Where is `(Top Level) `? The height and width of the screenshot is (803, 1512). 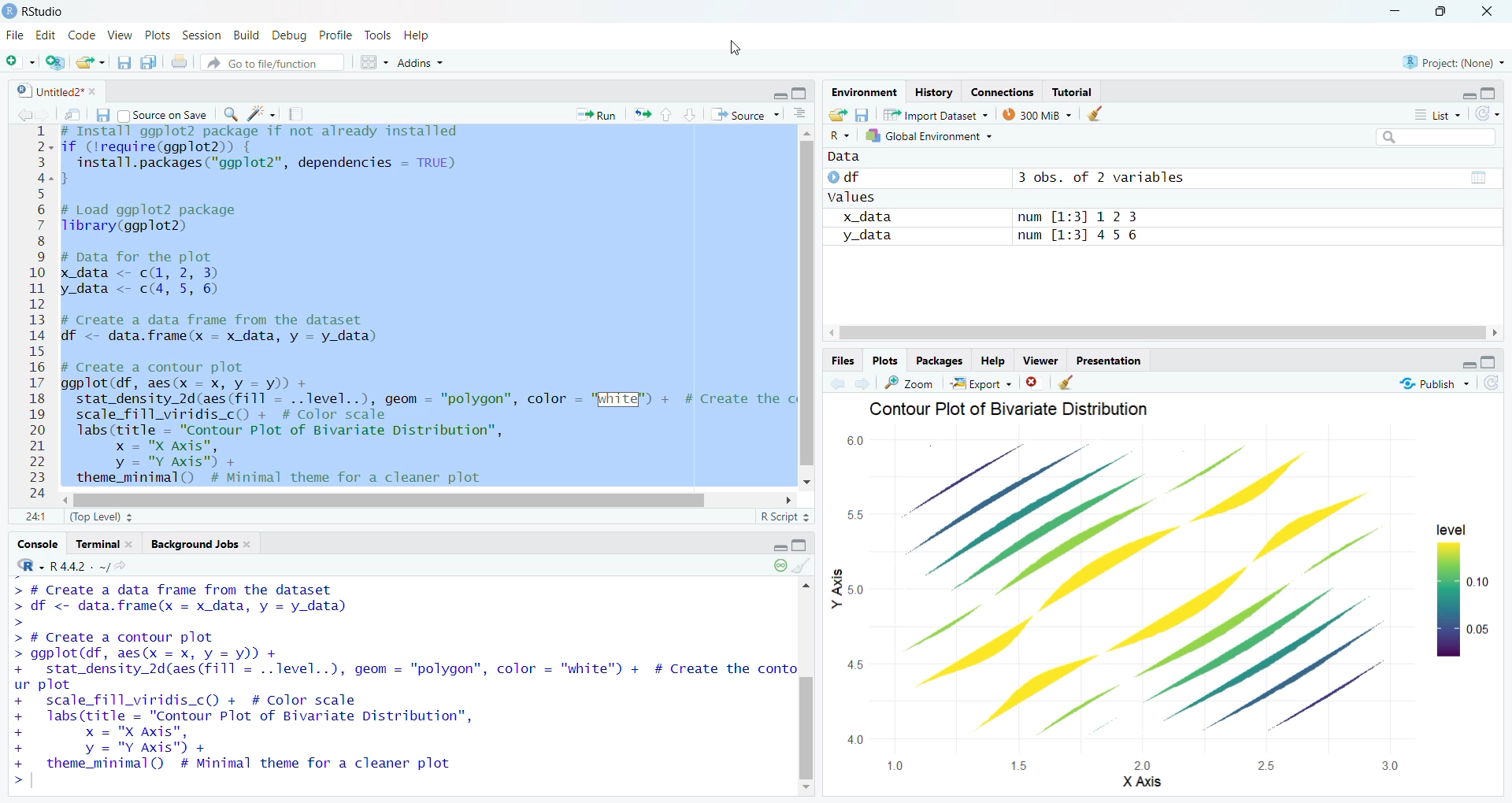
(Top Level)  is located at coordinates (97, 519).